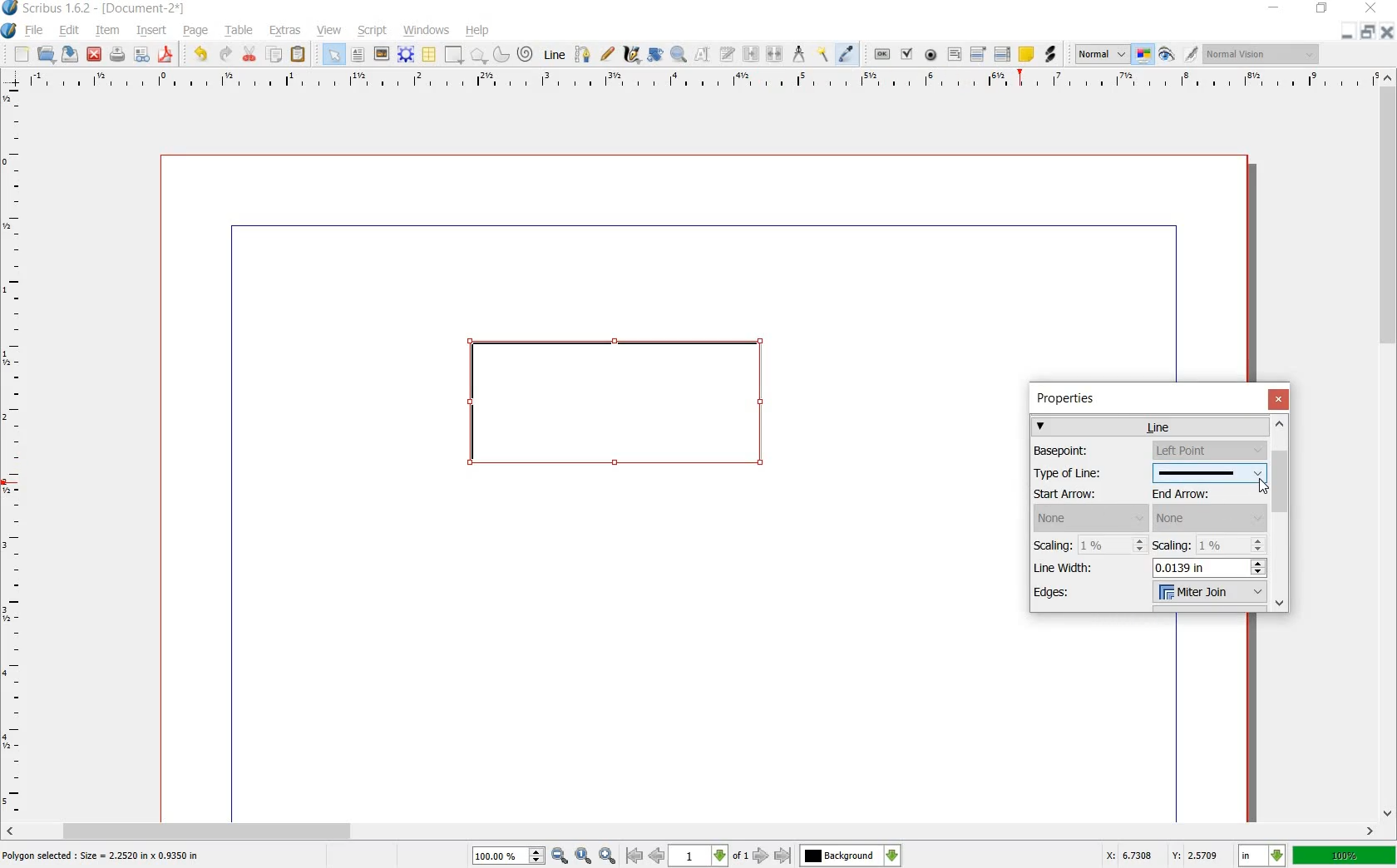 The image size is (1397, 868). Describe the element at coordinates (106, 31) in the screenshot. I see `ITEM` at that location.